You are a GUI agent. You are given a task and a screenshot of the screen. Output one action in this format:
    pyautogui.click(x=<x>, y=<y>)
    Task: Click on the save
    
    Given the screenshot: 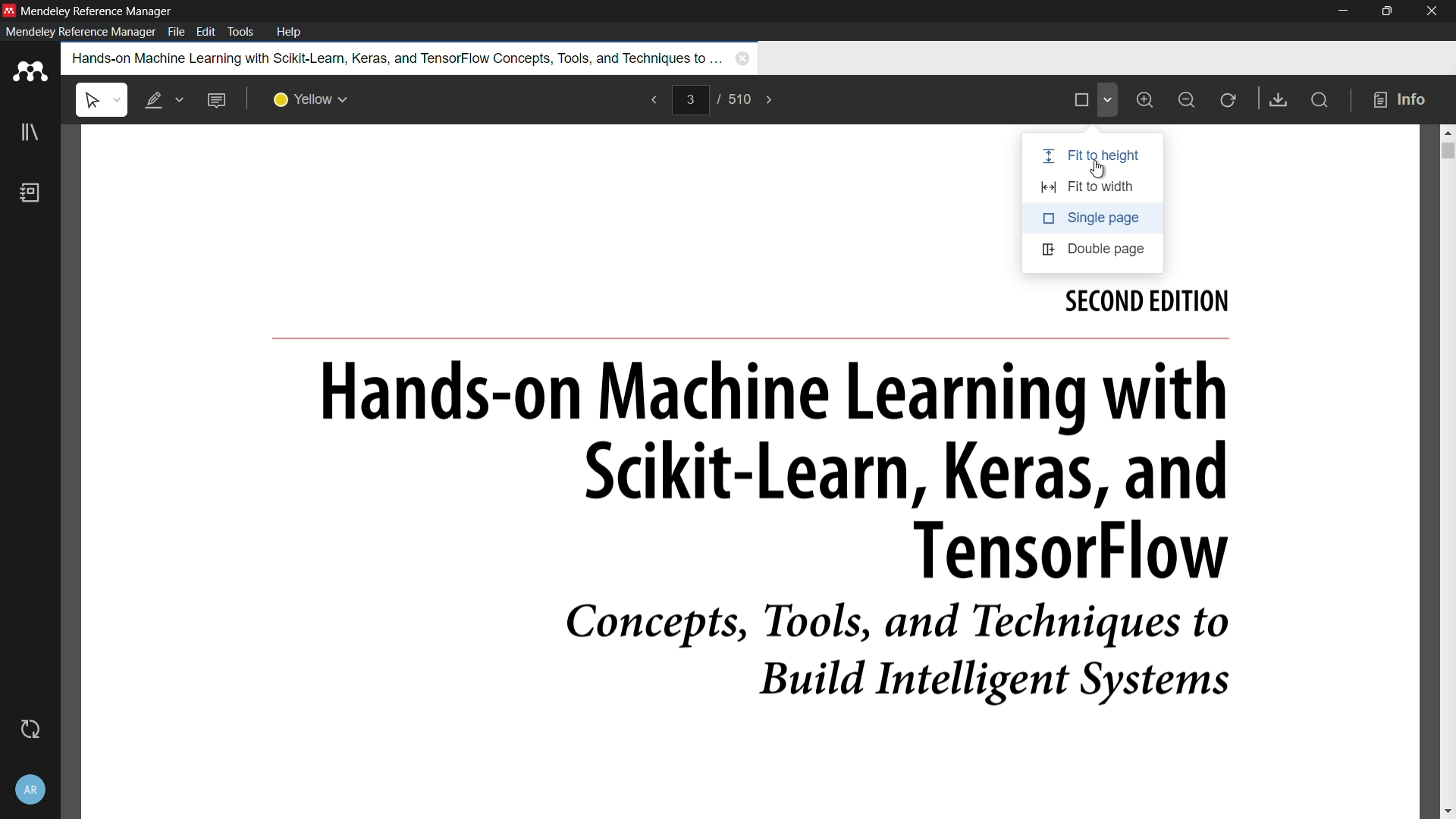 What is the action you would take?
    pyautogui.click(x=1276, y=99)
    